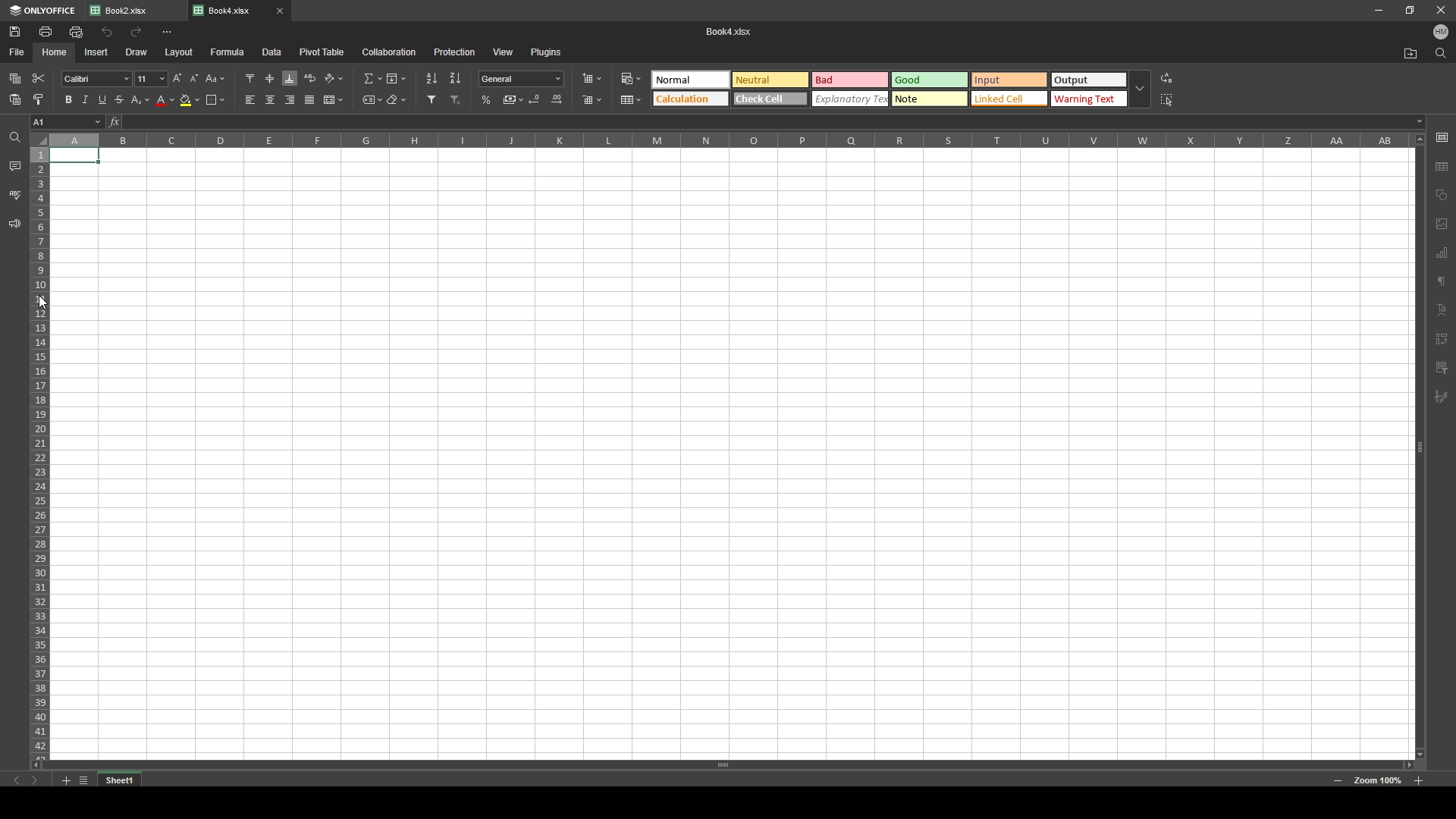  What do you see at coordinates (64, 99) in the screenshot?
I see `bold` at bounding box center [64, 99].